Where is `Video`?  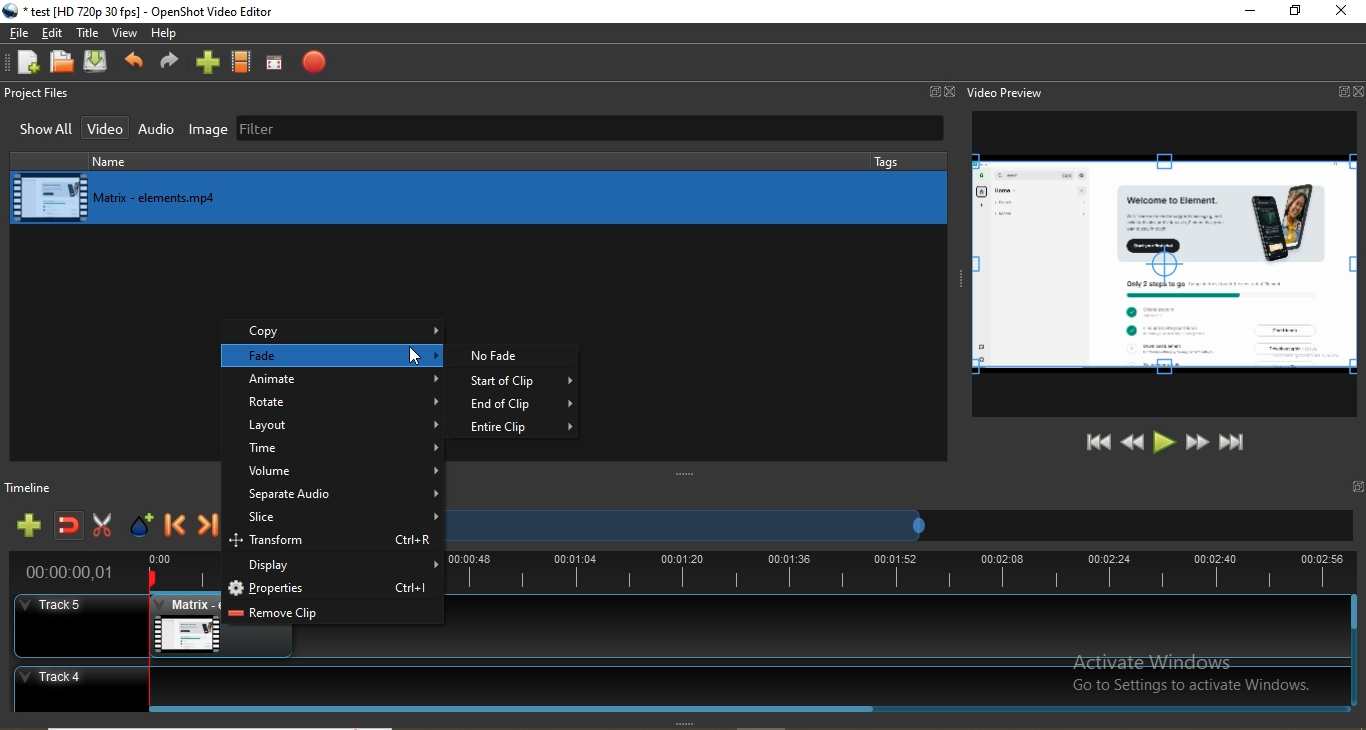 Video is located at coordinates (107, 128).